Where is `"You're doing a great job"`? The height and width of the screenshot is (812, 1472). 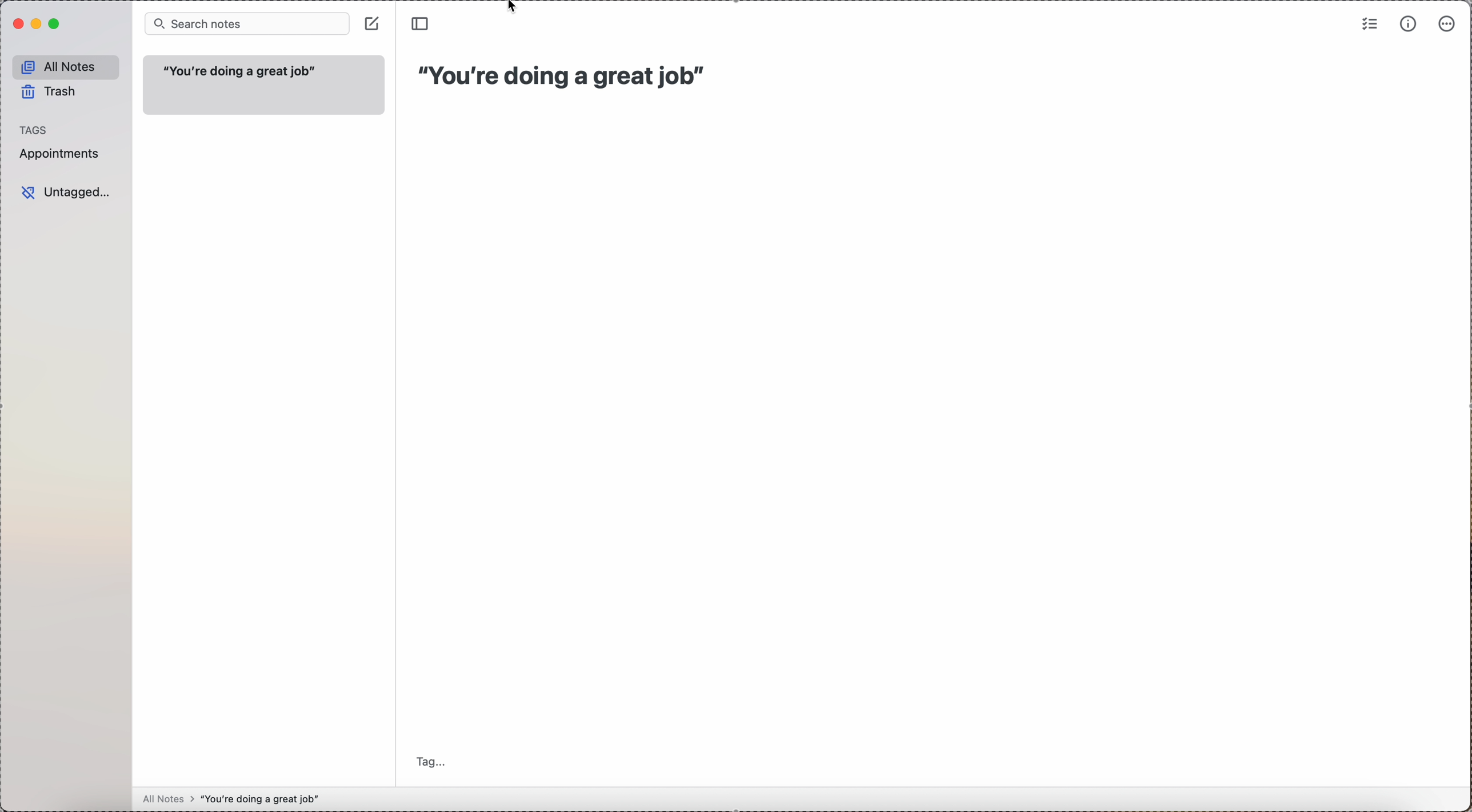 "You're doing a great job" is located at coordinates (264, 86).